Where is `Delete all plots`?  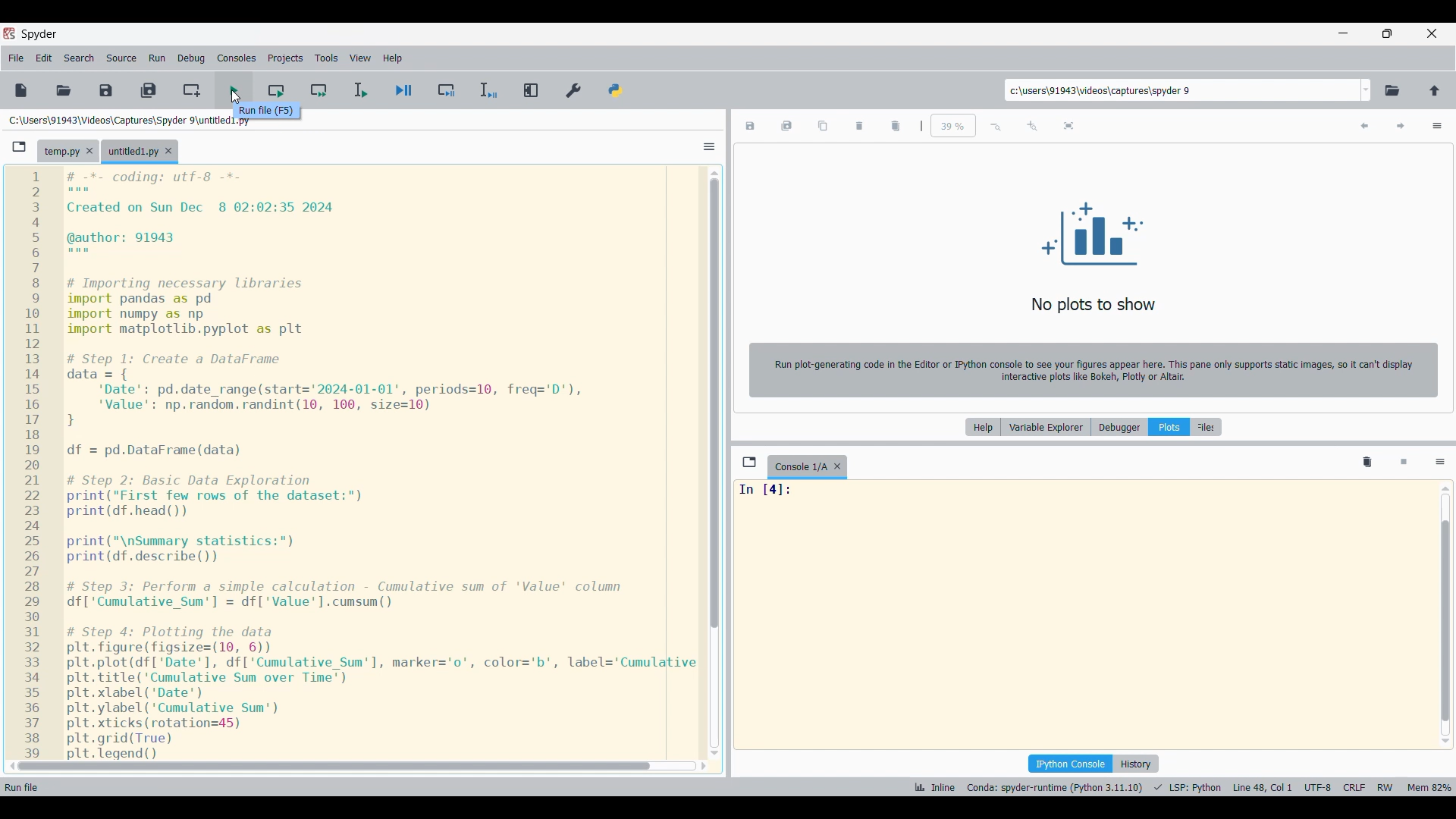 Delete all plots is located at coordinates (896, 126).